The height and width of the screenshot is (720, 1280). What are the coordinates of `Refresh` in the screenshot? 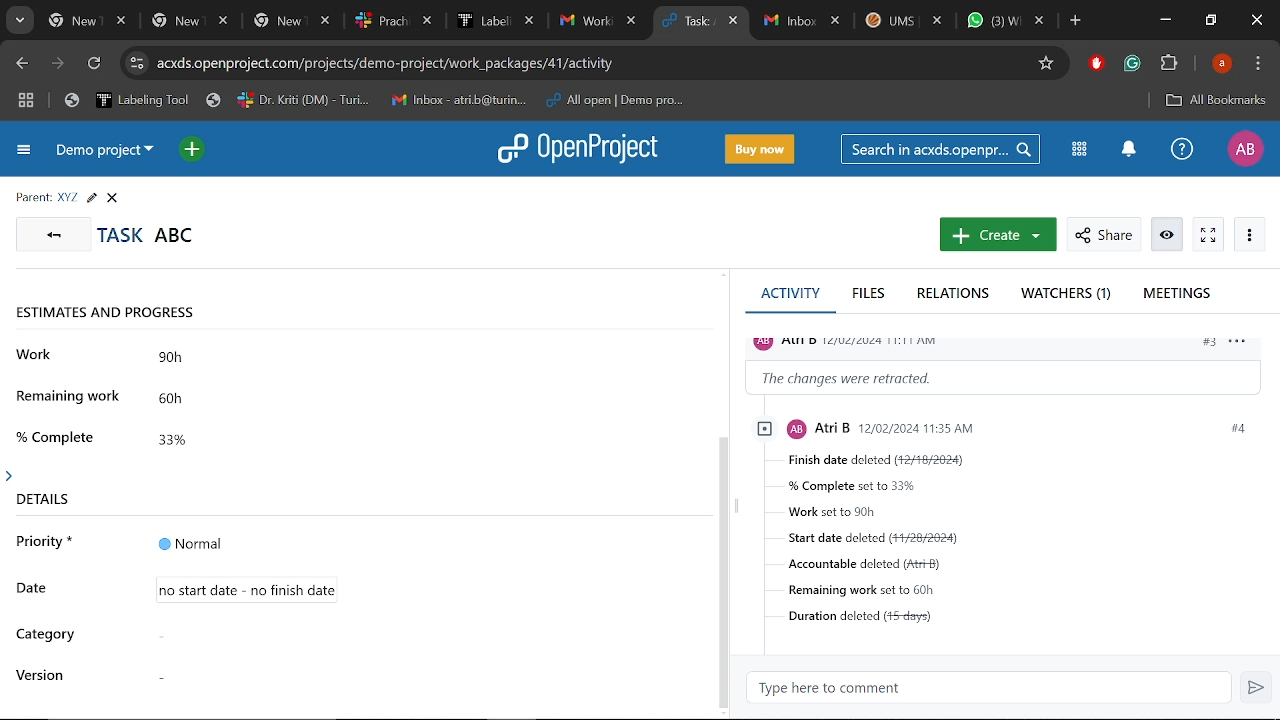 It's located at (95, 66).